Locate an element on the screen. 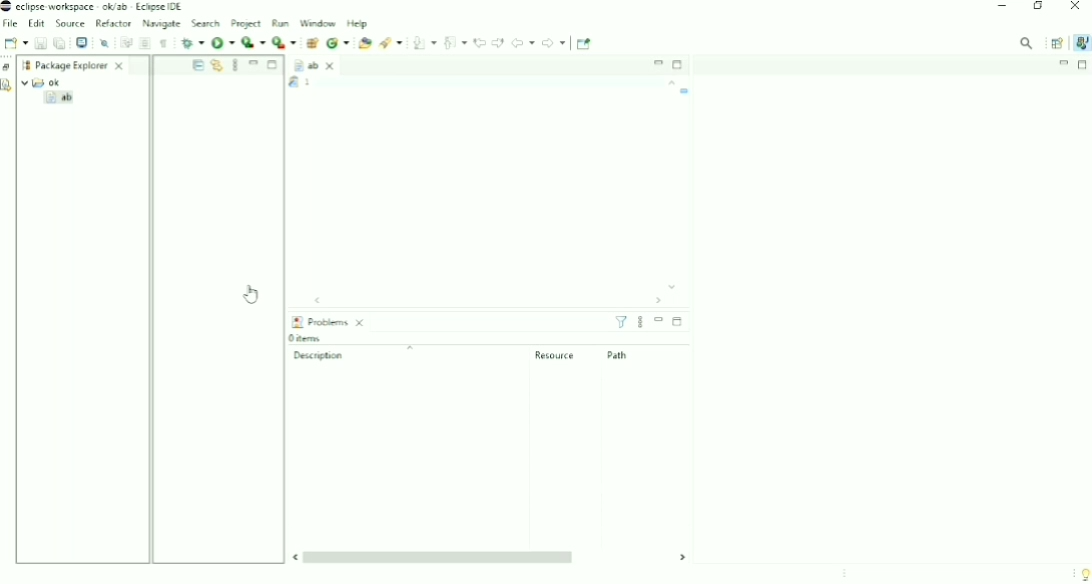  Problems is located at coordinates (329, 321).